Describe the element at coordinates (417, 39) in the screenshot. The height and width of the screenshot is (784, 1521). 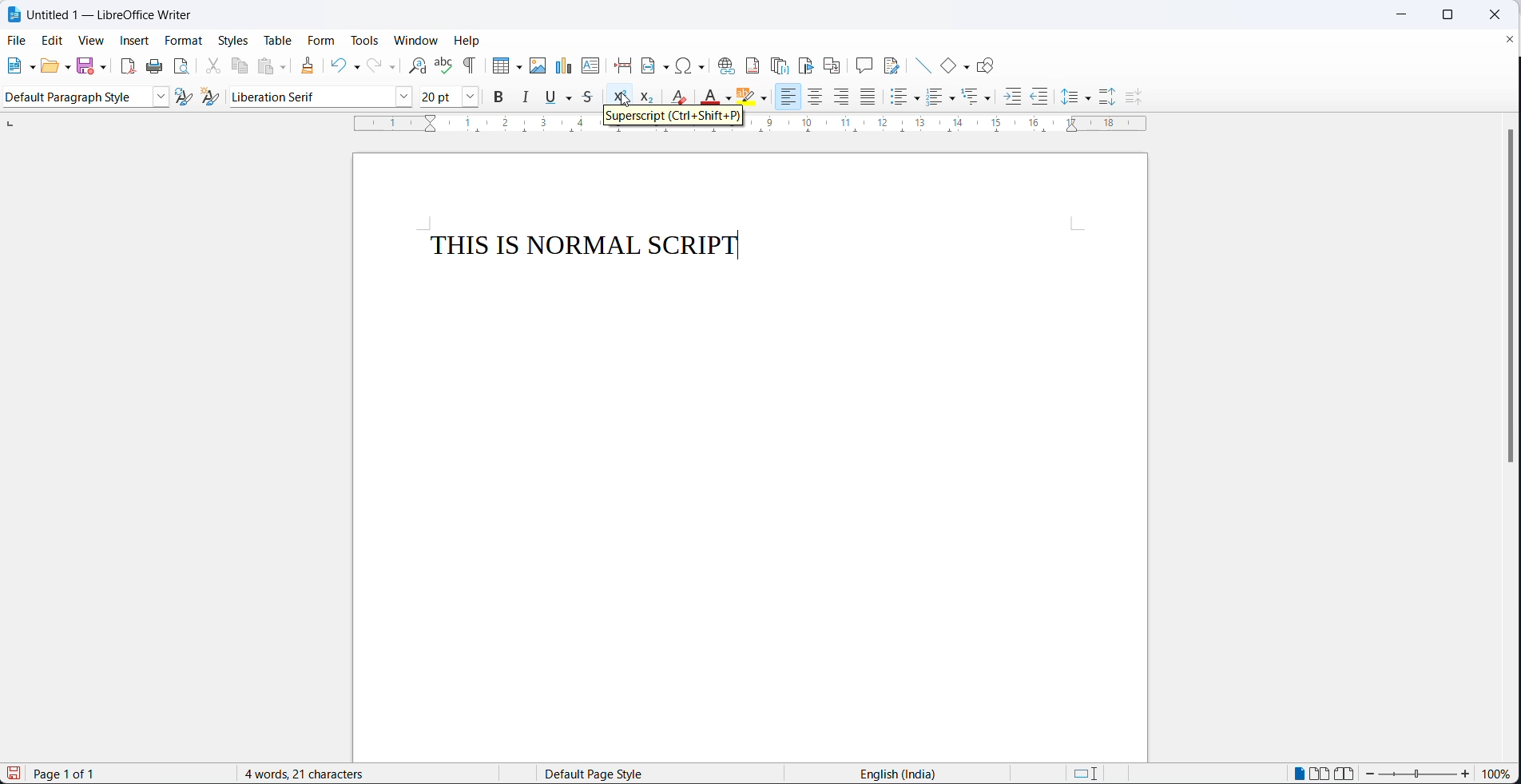
I see `window` at that location.